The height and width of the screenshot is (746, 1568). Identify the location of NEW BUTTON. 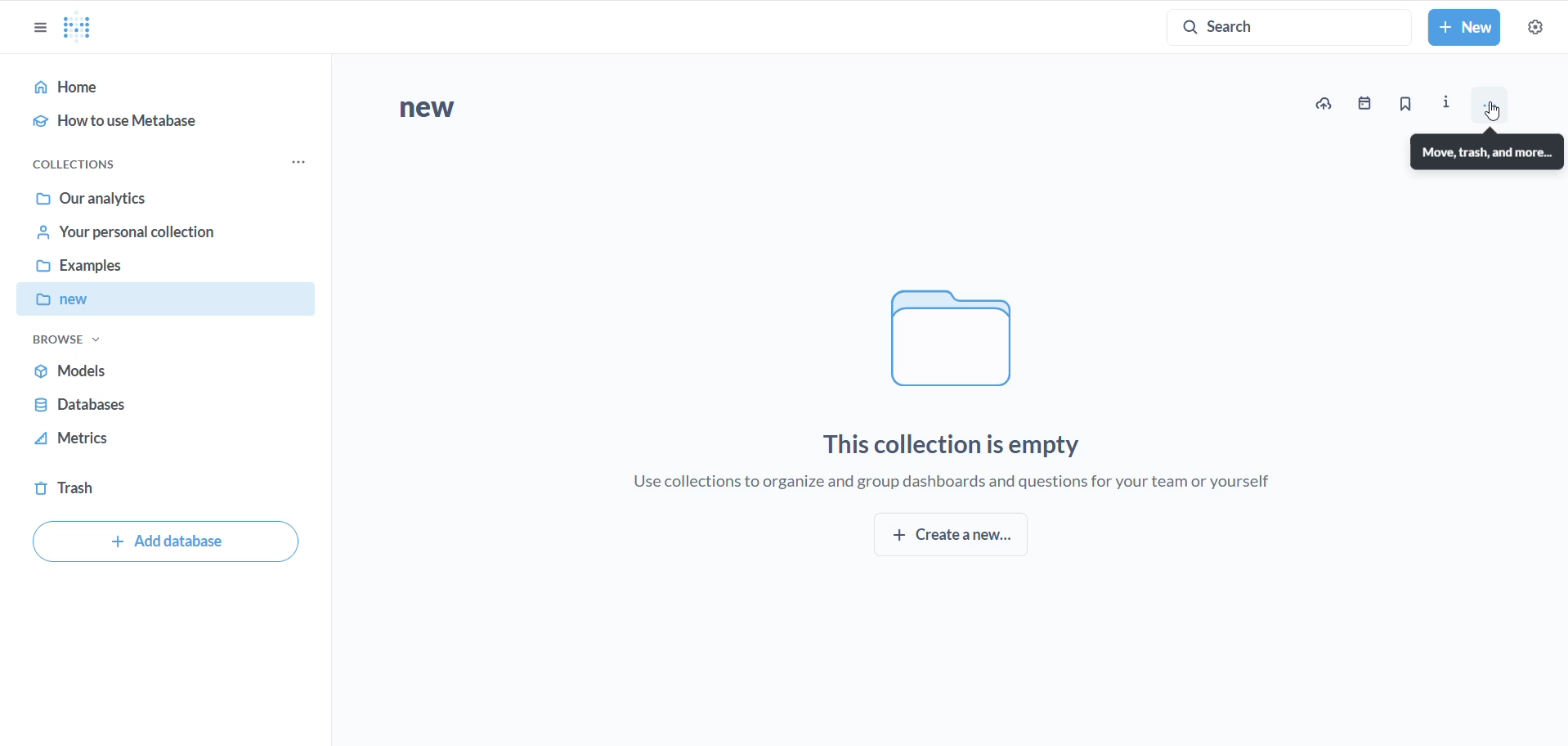
(1465, 29).